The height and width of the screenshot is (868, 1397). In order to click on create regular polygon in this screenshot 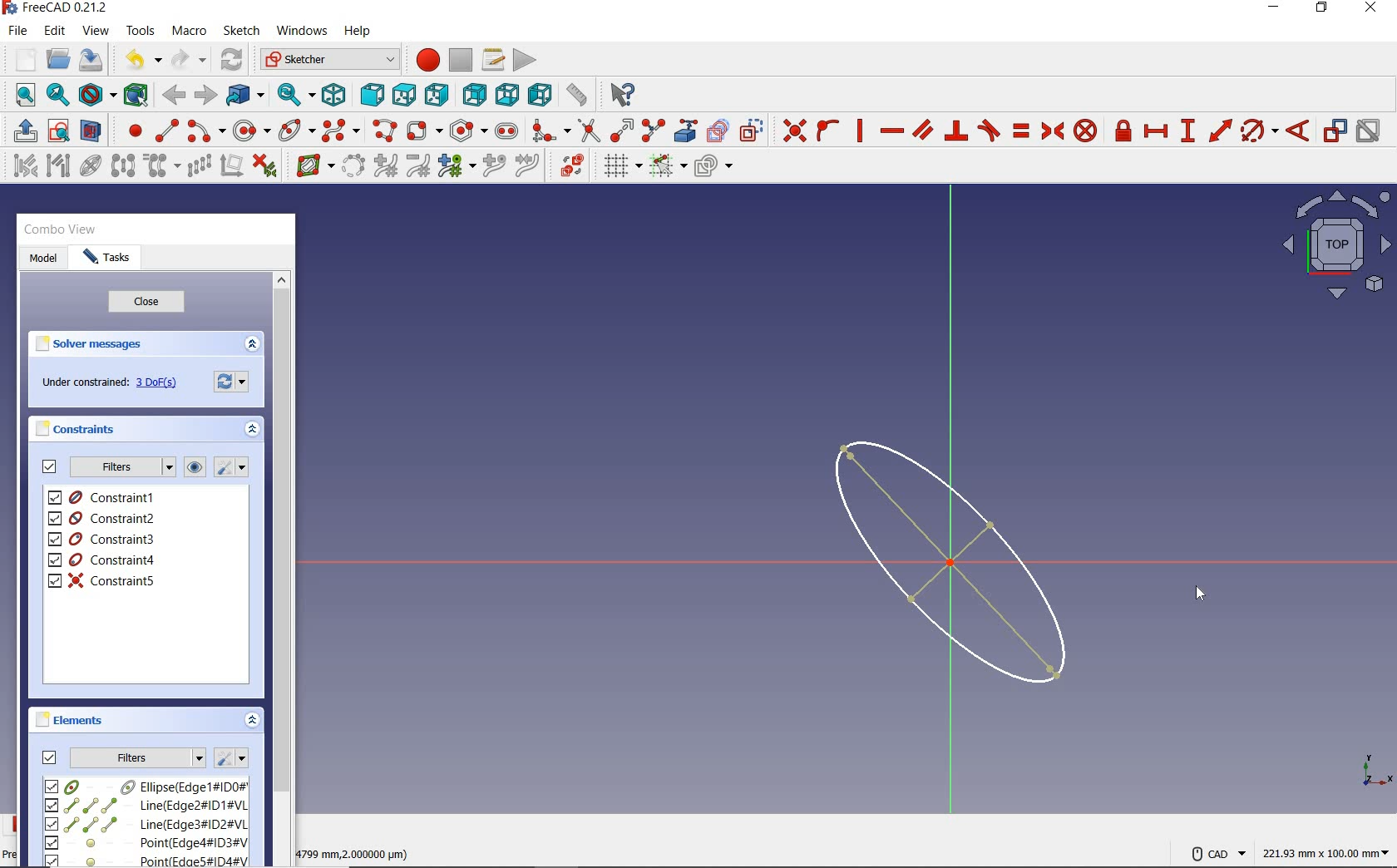, I will do `click(469, 131)`.